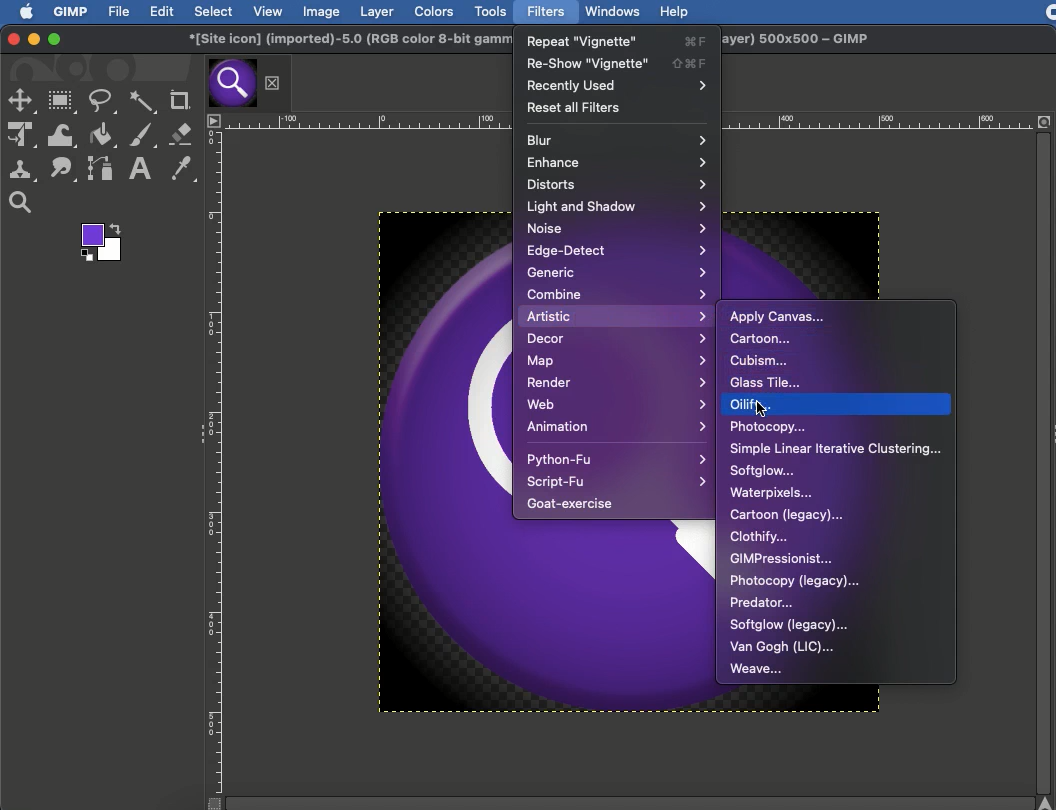  What do you see at coordinates (576, 106) in the screenshot?
I see `Reset all filters` at bounding box center [576, 106].